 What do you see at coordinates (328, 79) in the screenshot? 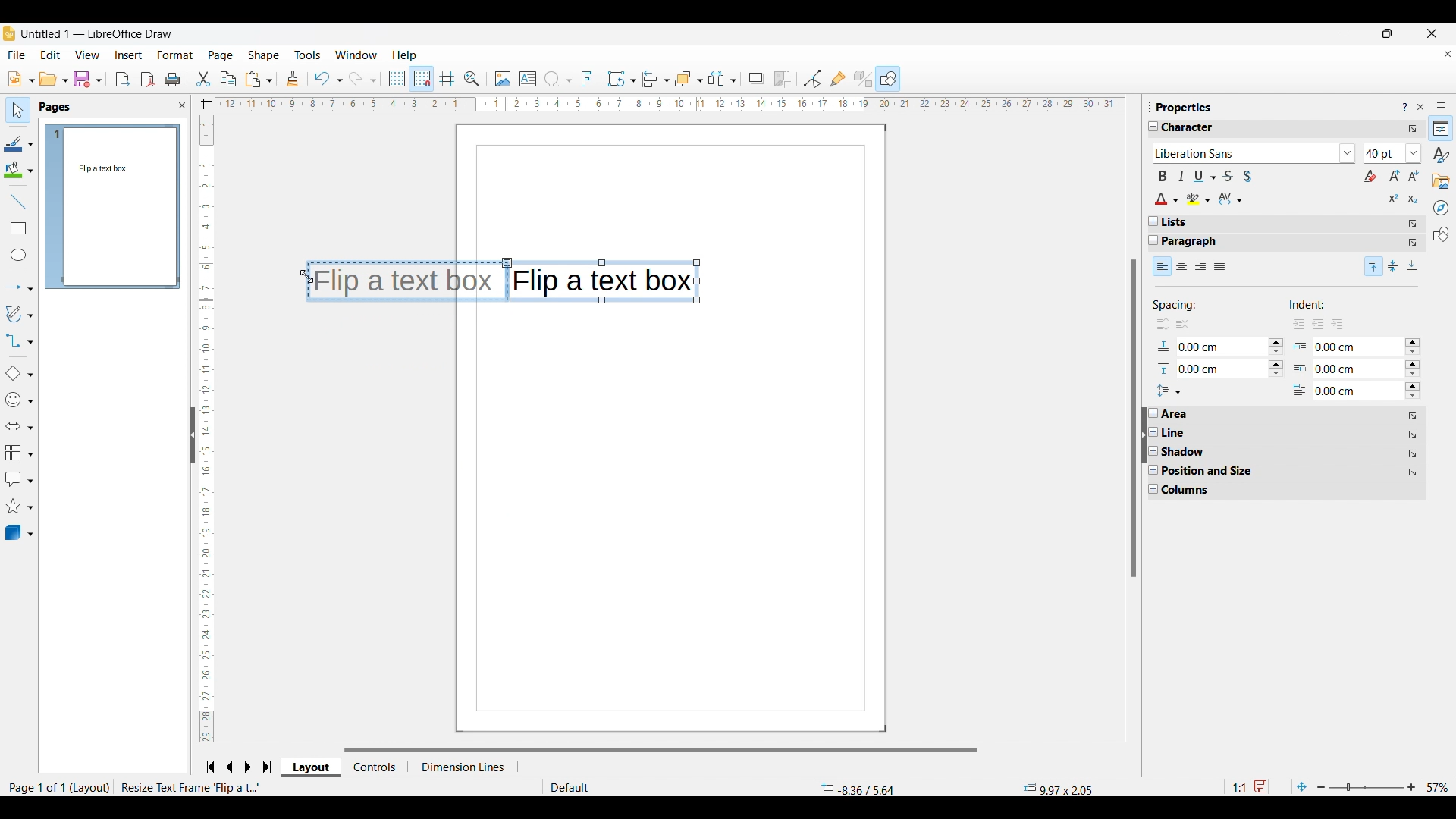
I see `Undo` at bounding box center [328, 79].